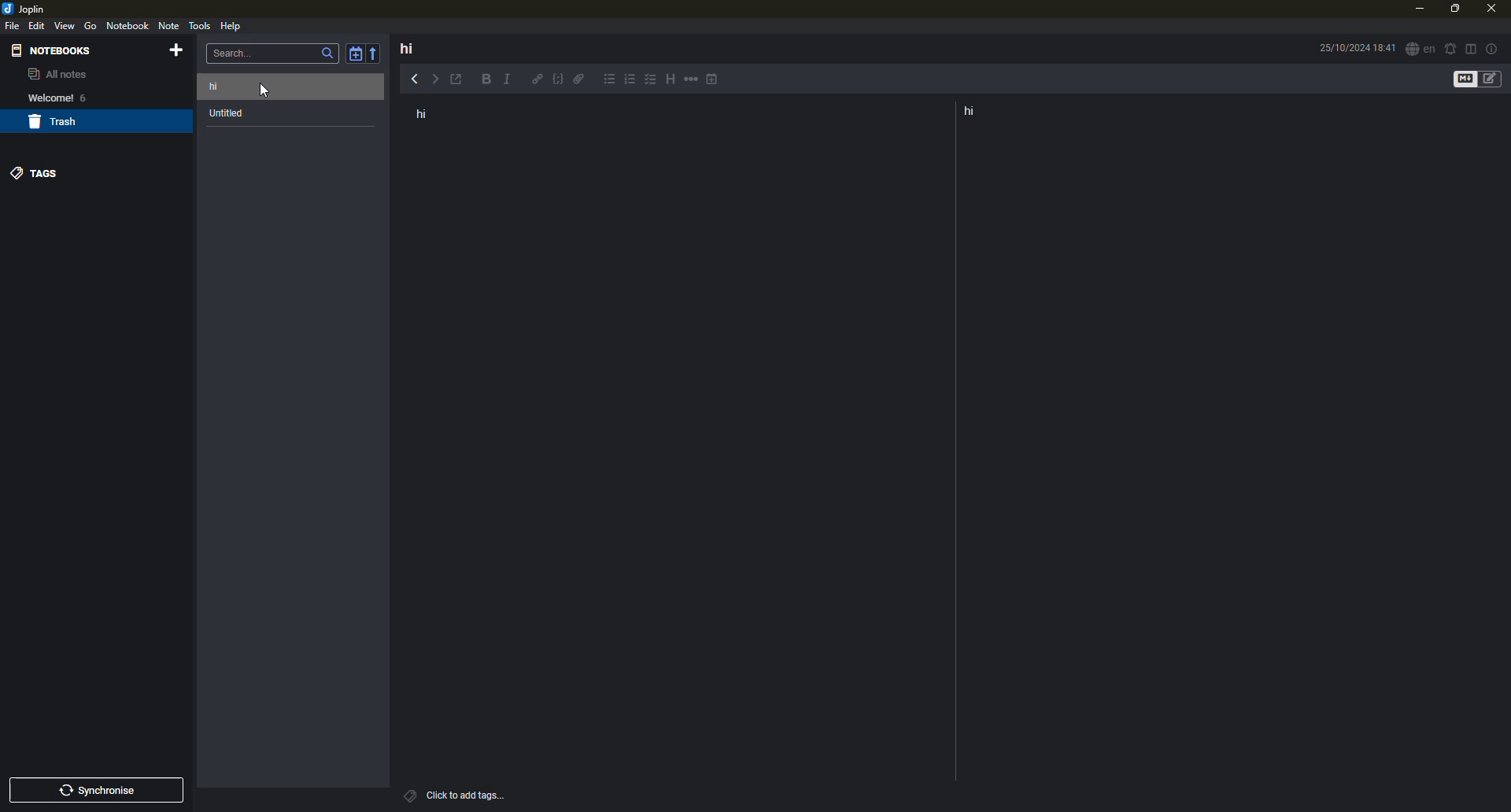 This screenshot has height=812, width=1511. What do you see at coordinates (975, 112) in the screenshot?
I see `hi` at bounding box center [975, 112].